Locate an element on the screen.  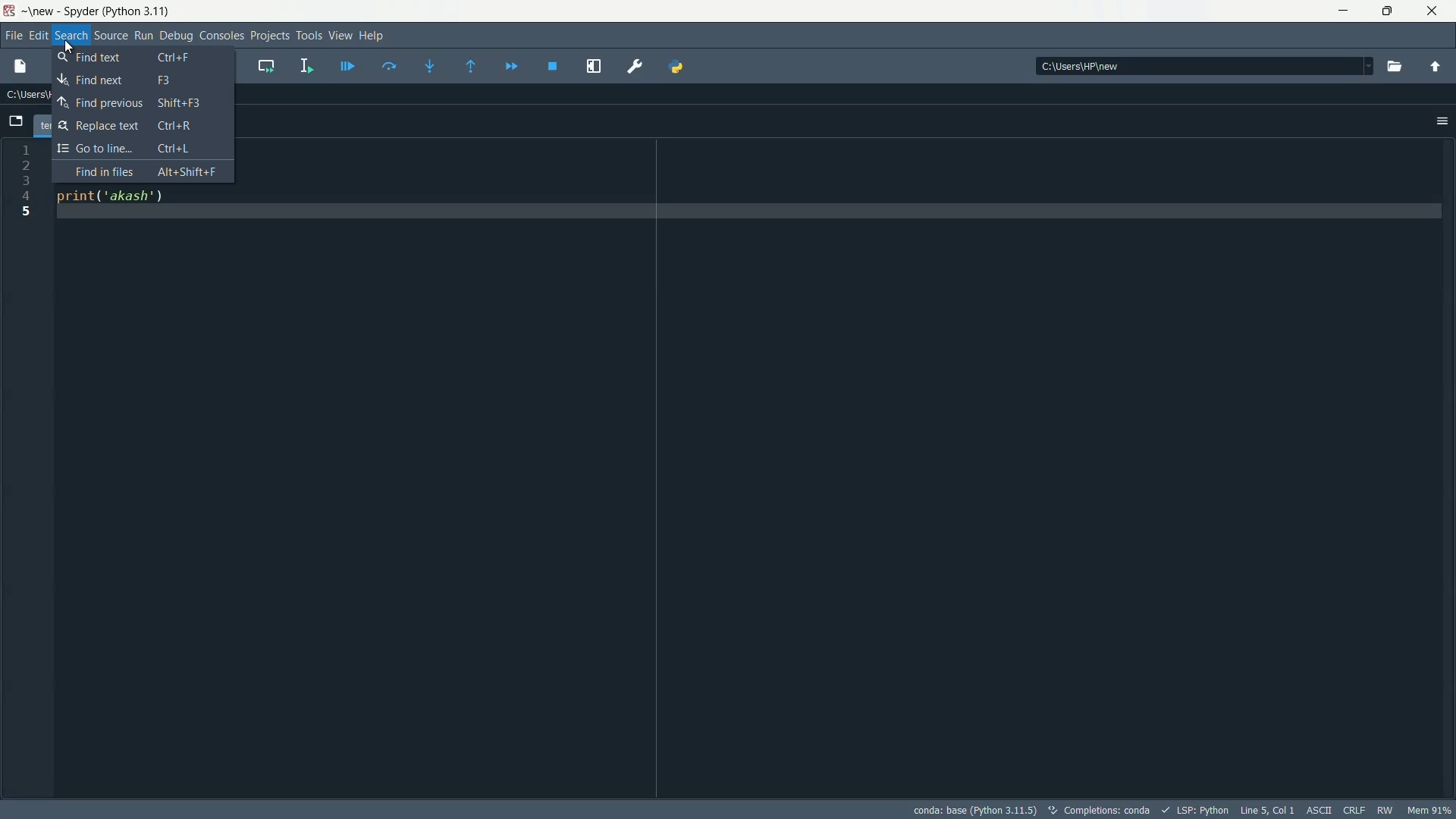
file menu is located at coordinates (12, 36).